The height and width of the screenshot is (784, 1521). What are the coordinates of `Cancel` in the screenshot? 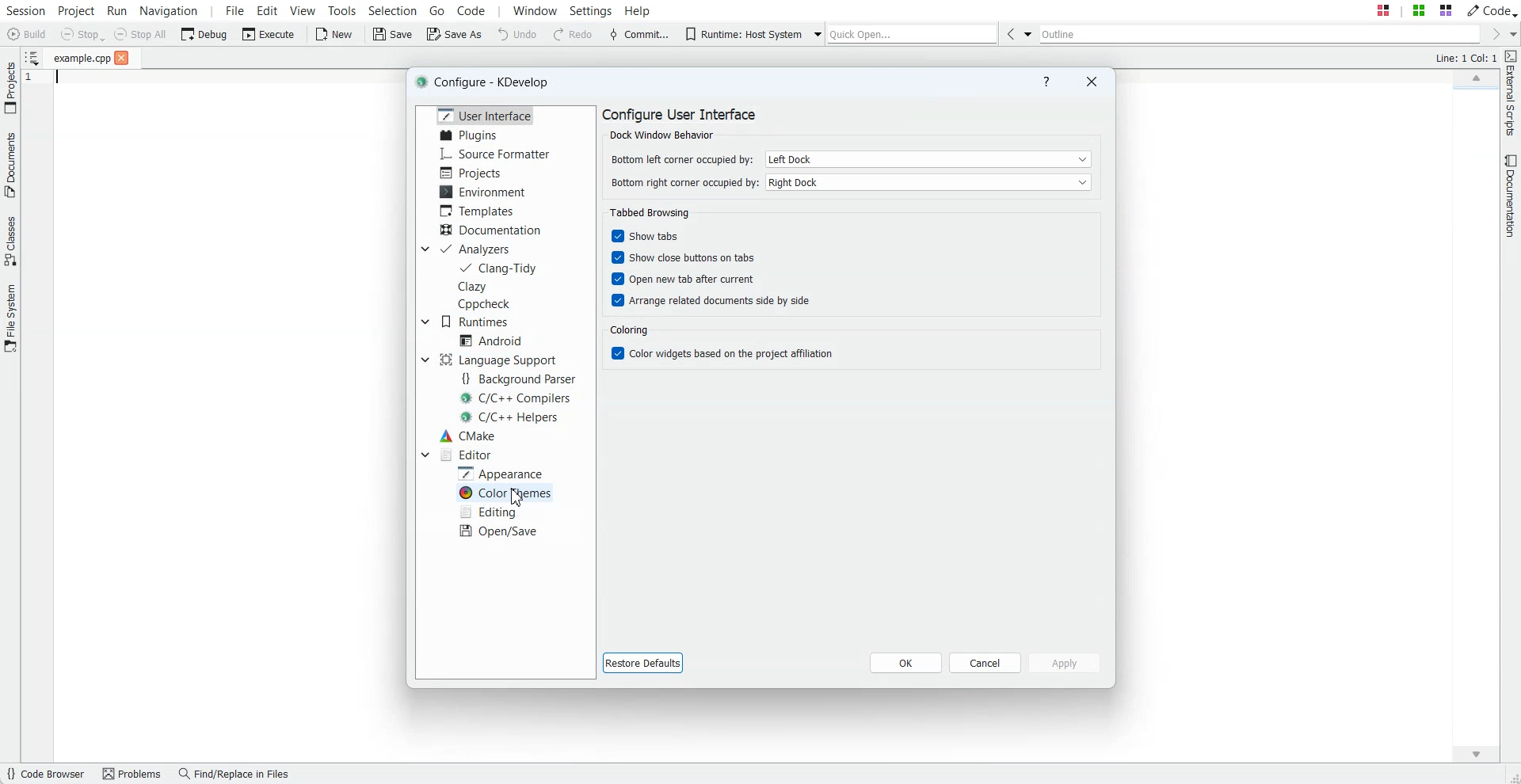 It's located at (985, 662).